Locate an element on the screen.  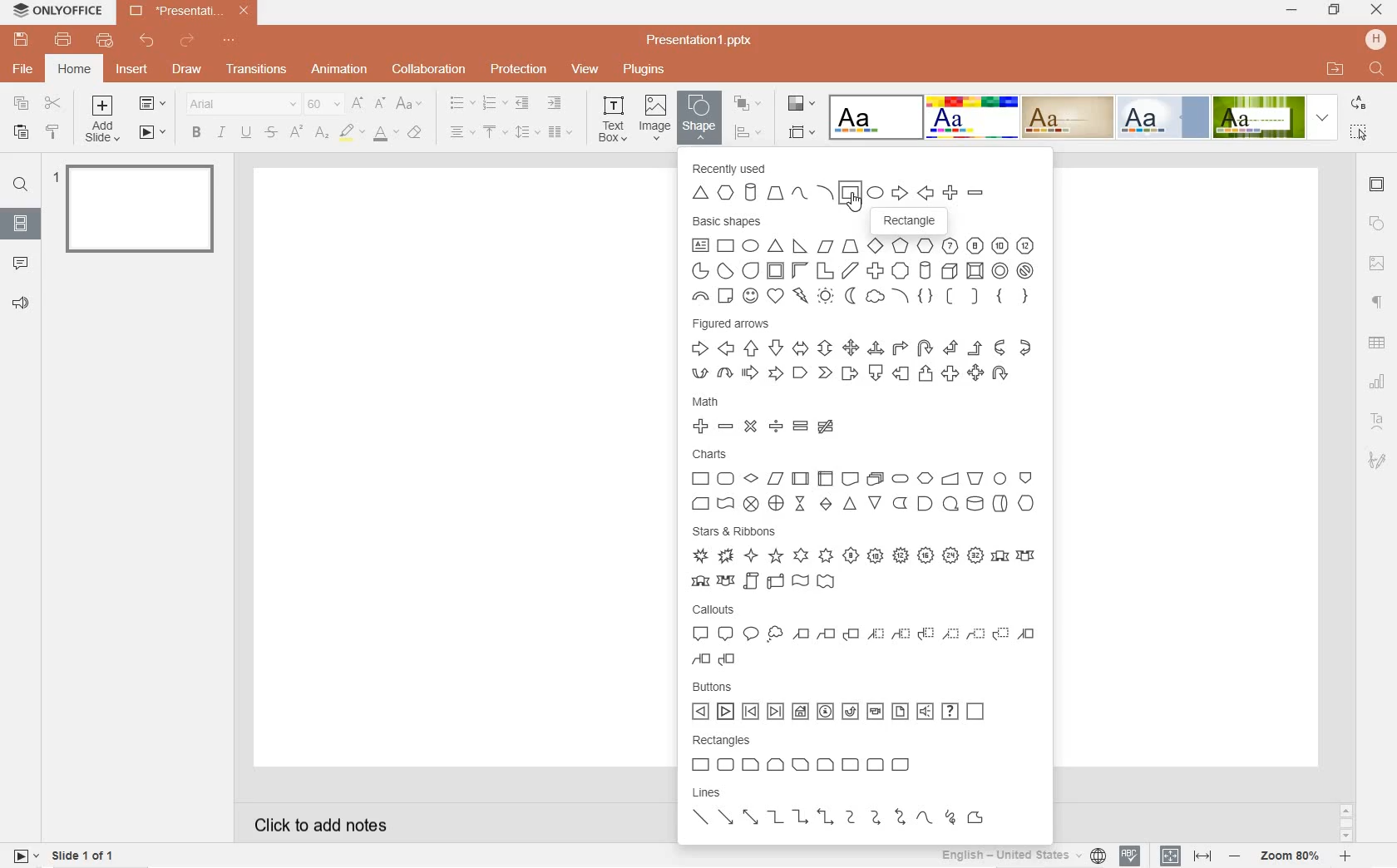
Horizontal Scroll is located at coordinates (777, 581).